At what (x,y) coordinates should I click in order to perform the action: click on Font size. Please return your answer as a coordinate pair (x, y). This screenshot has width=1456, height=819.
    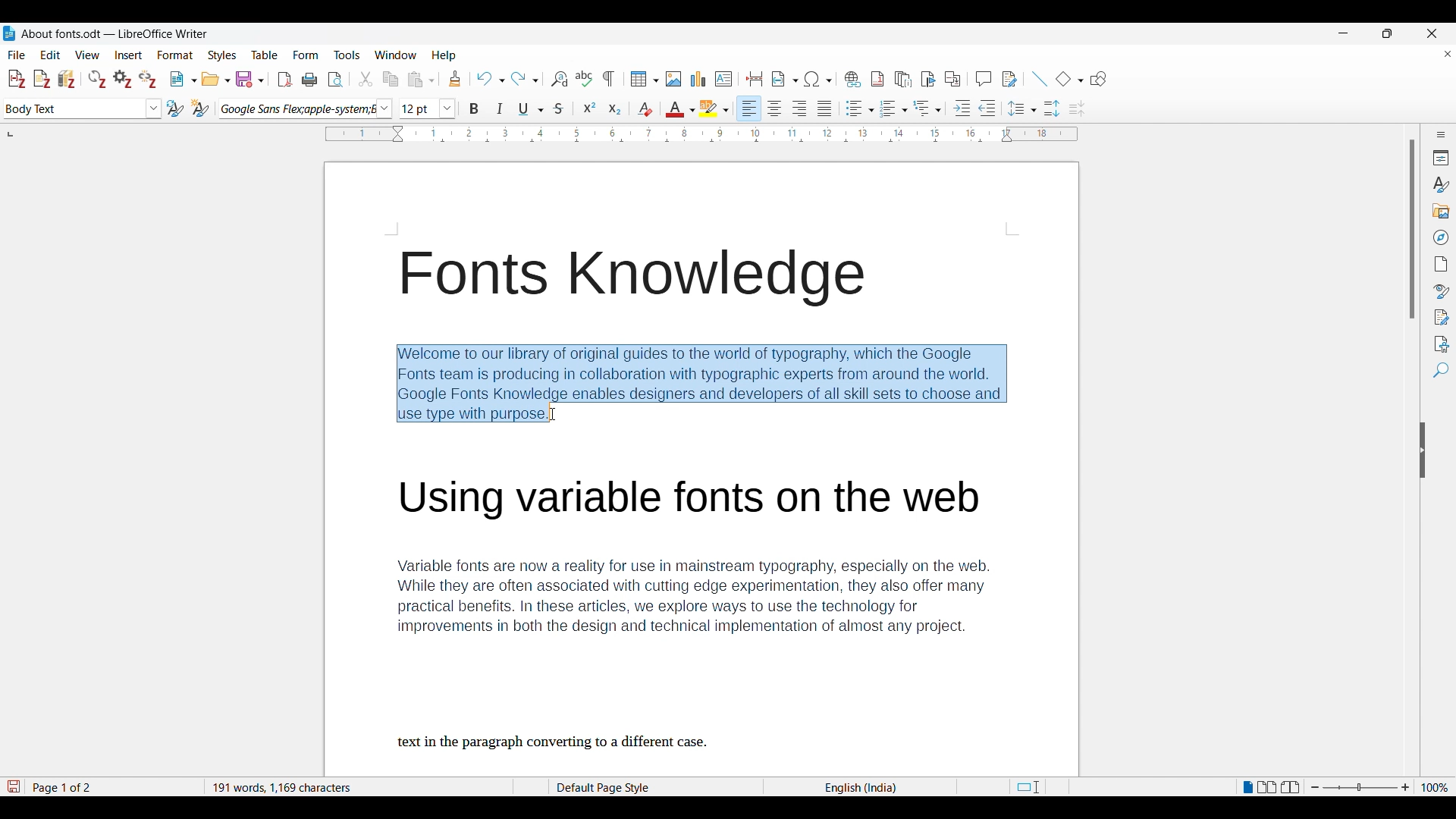
    Looking at the image, I should click on (428, 108).